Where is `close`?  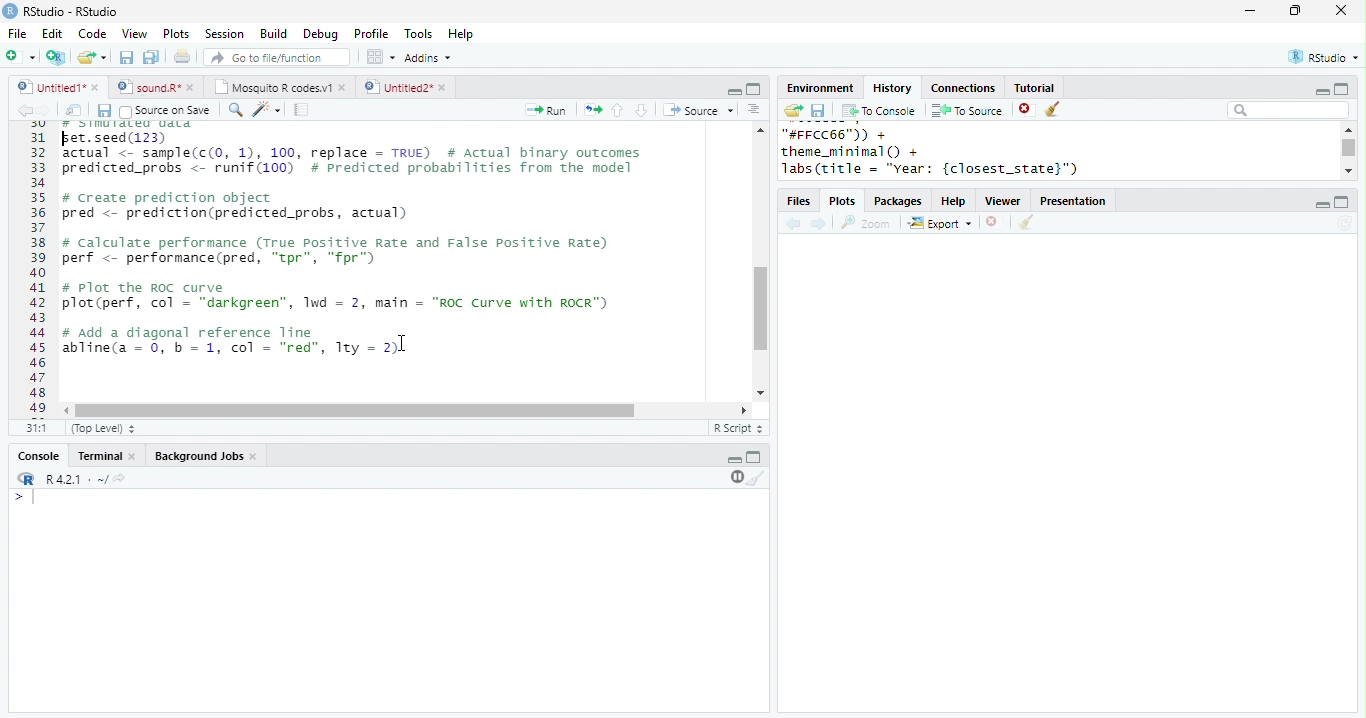 close is located at coordinates (194, 87).